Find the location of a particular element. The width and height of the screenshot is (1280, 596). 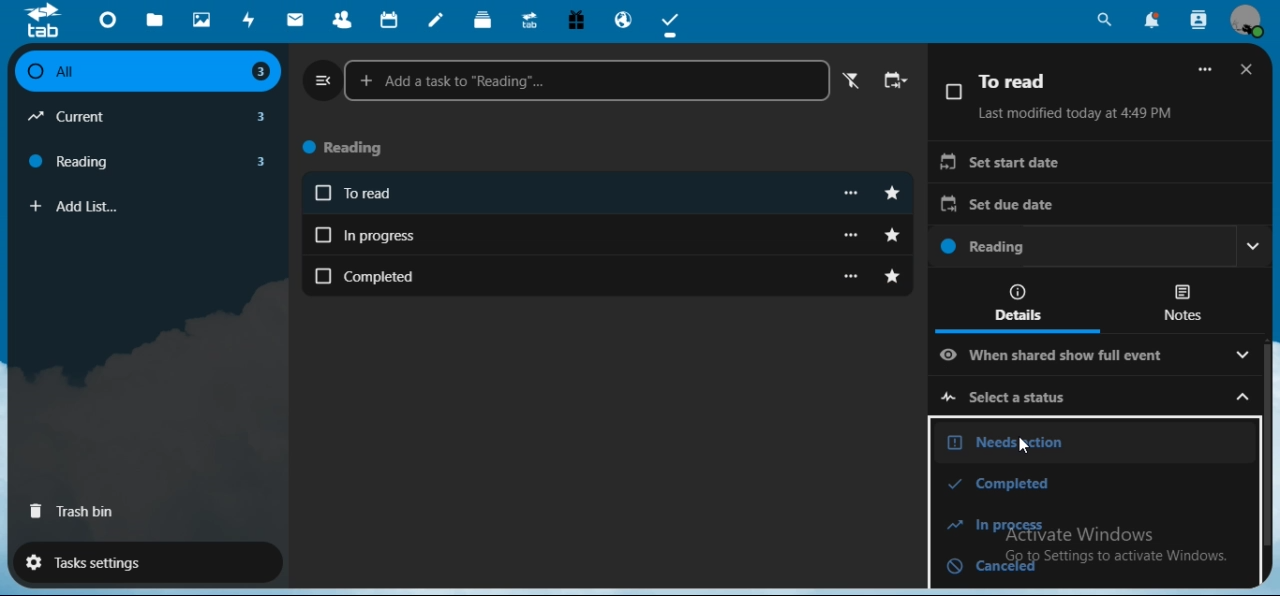

files is located at coordinates (156, 21).